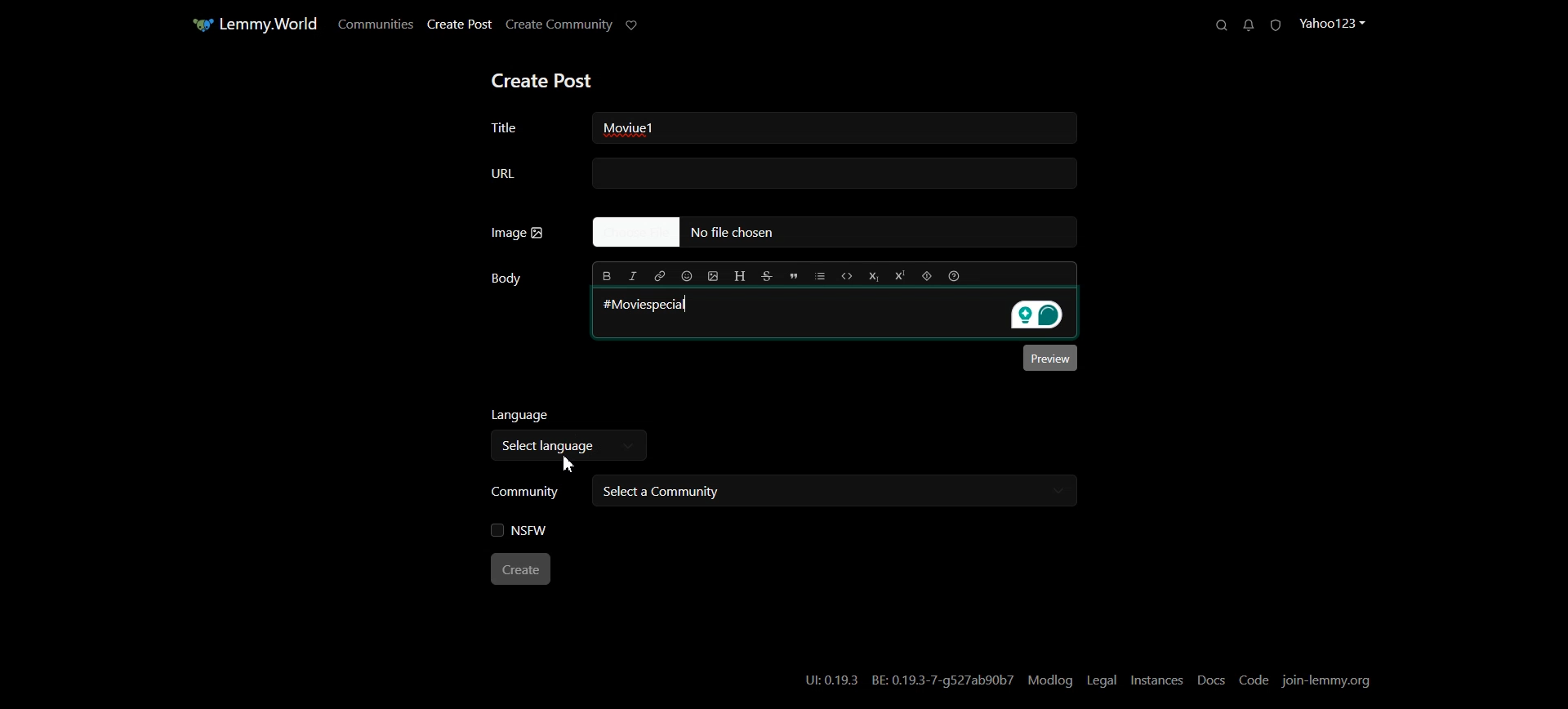 This screenshot has width=1568, height=709. I want to click on Image, so click(518, 233).